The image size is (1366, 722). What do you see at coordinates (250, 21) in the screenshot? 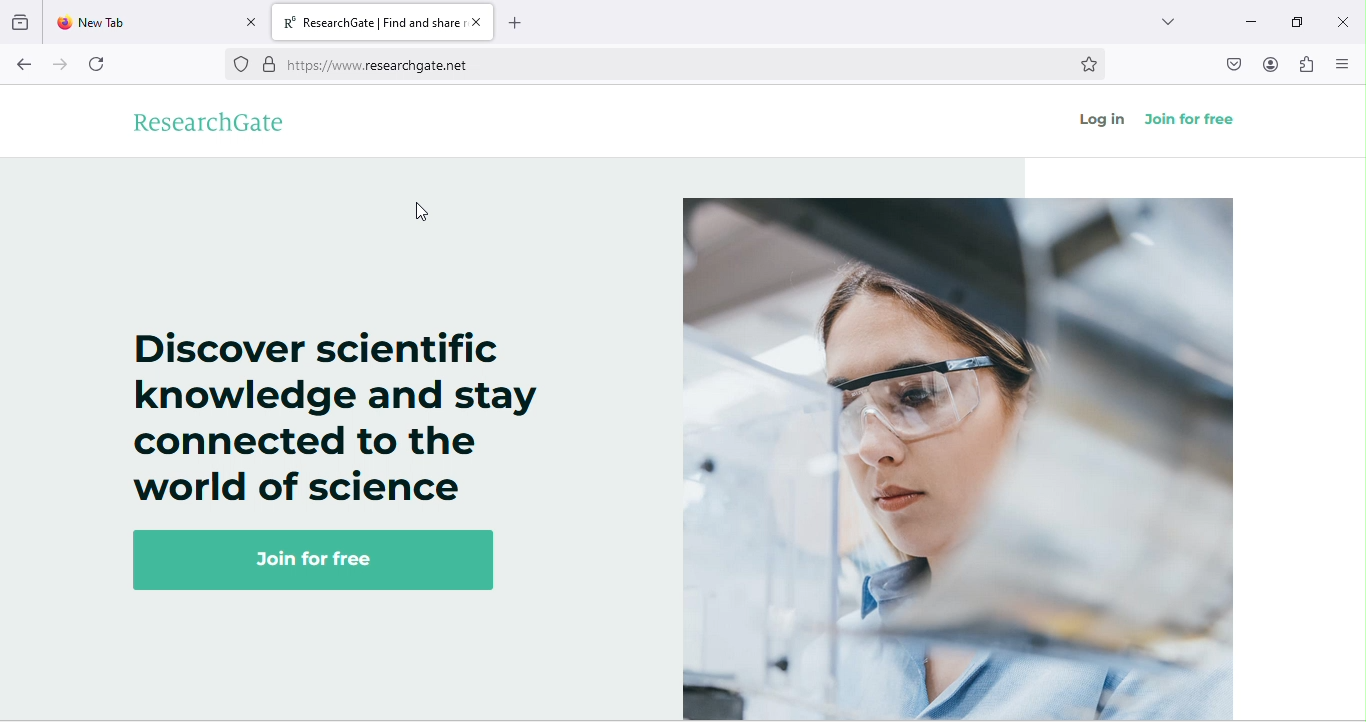
I see `close tab` at bounding box center [250, 21].